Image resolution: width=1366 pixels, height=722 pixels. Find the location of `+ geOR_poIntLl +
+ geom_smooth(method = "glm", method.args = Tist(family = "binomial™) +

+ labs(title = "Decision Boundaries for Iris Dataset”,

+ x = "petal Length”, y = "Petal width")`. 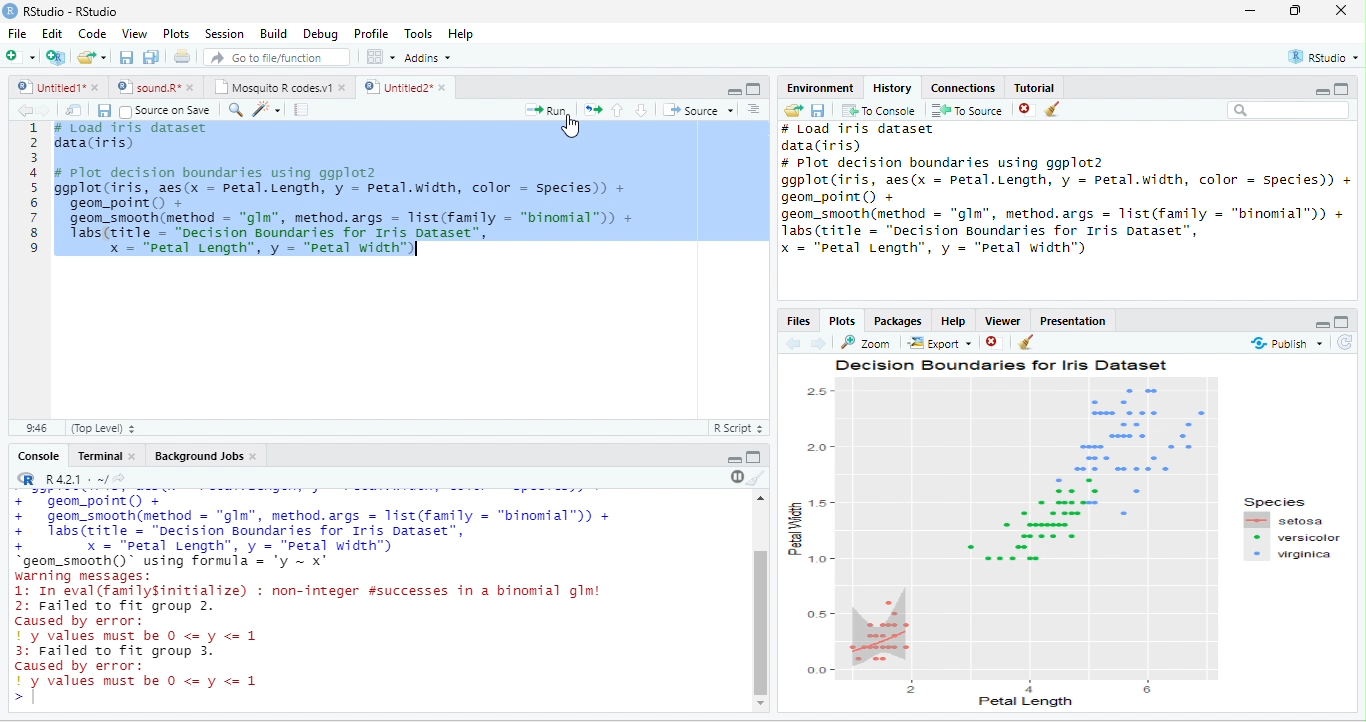

+ geOR_poIntLl +
+ geom_smooth(method = "glm", method.args = Tist(family = "binomial™) +

+ labs(title = "Decision Boundaries for Iris Dataset”,

+ x = "petal Length”, y = "Petal width") is located at coordinates (311, 523).